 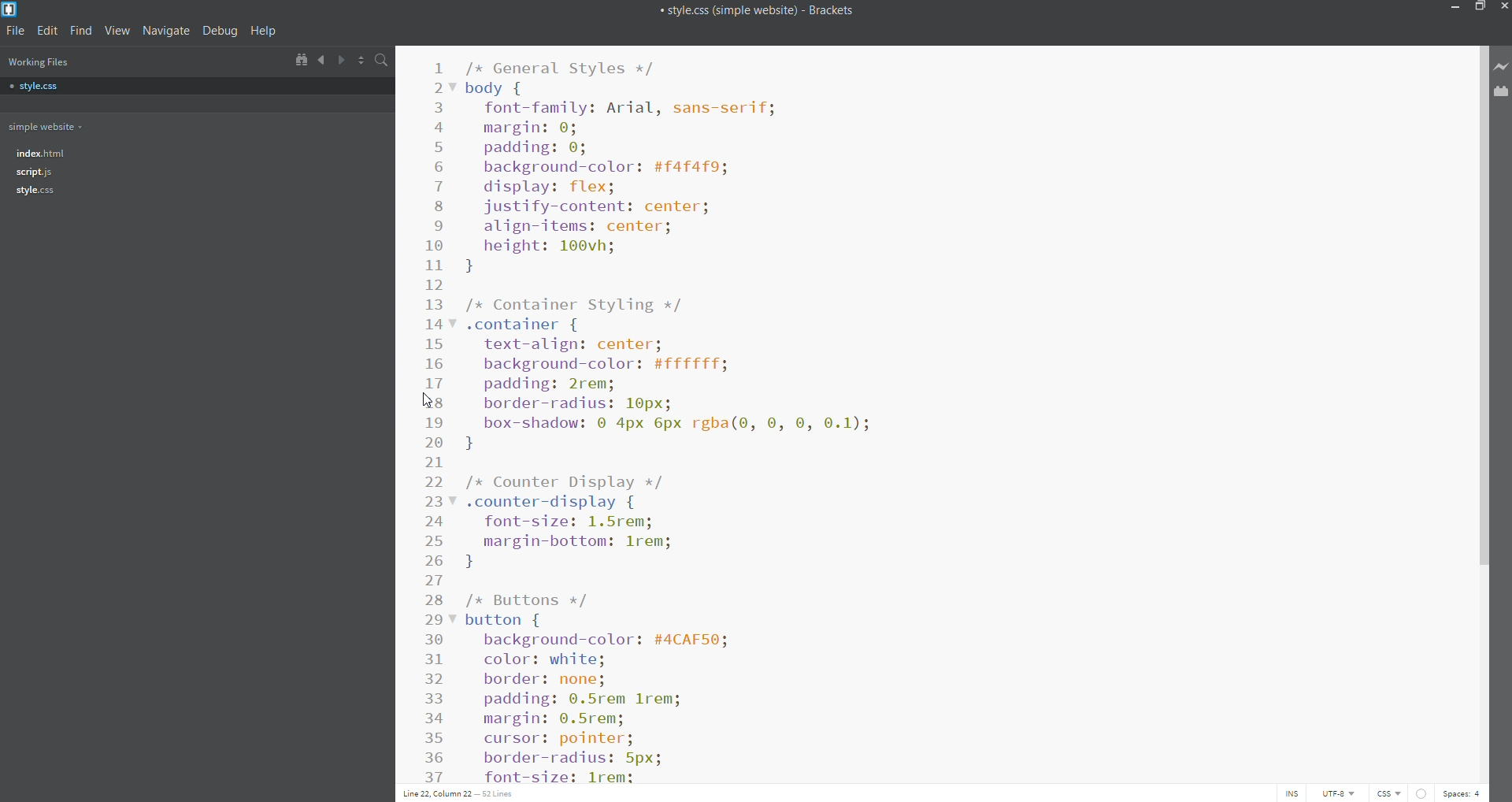 I want to click on find, so click(x=82, y=32).